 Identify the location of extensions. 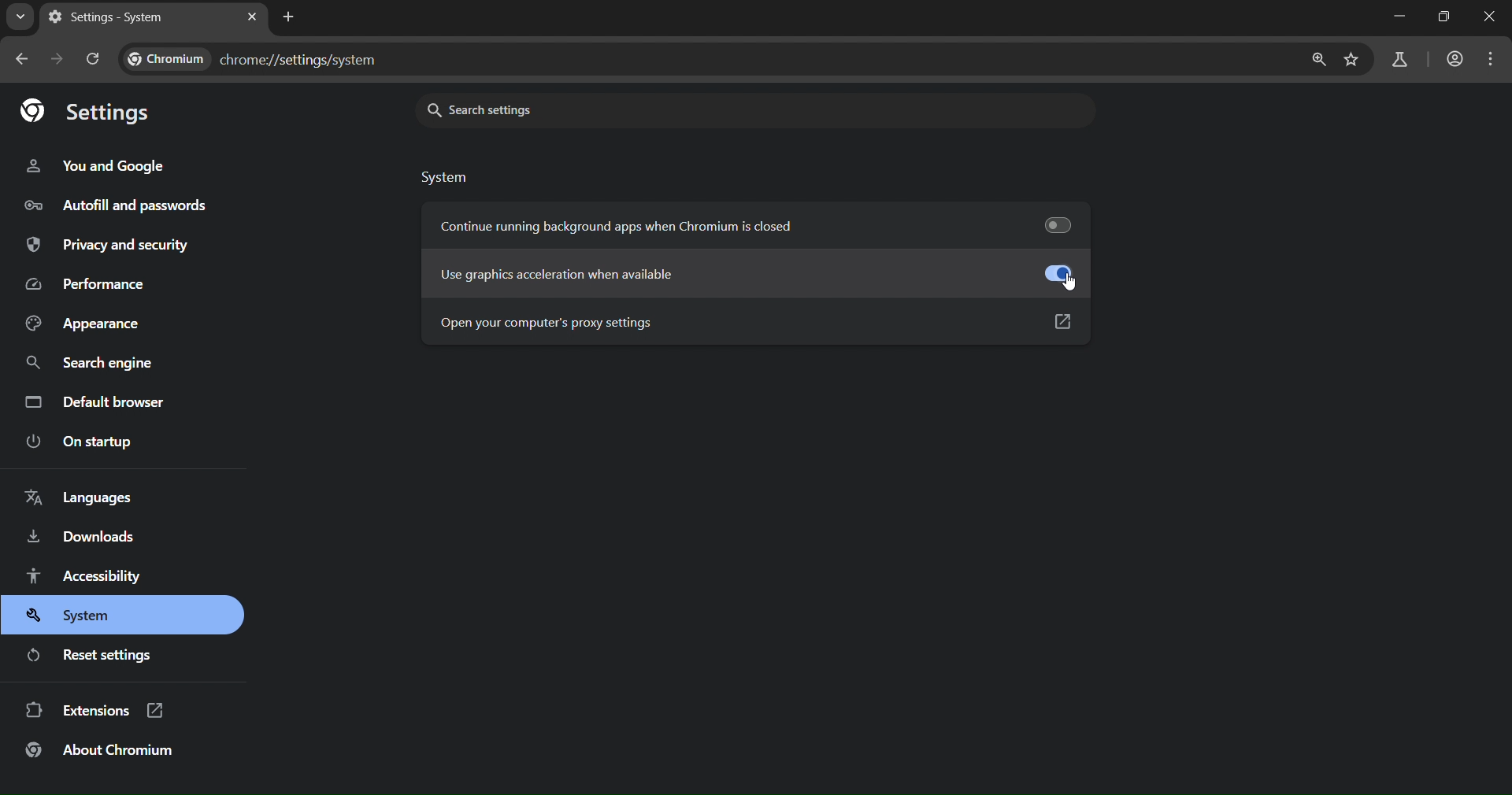
(95, 708).